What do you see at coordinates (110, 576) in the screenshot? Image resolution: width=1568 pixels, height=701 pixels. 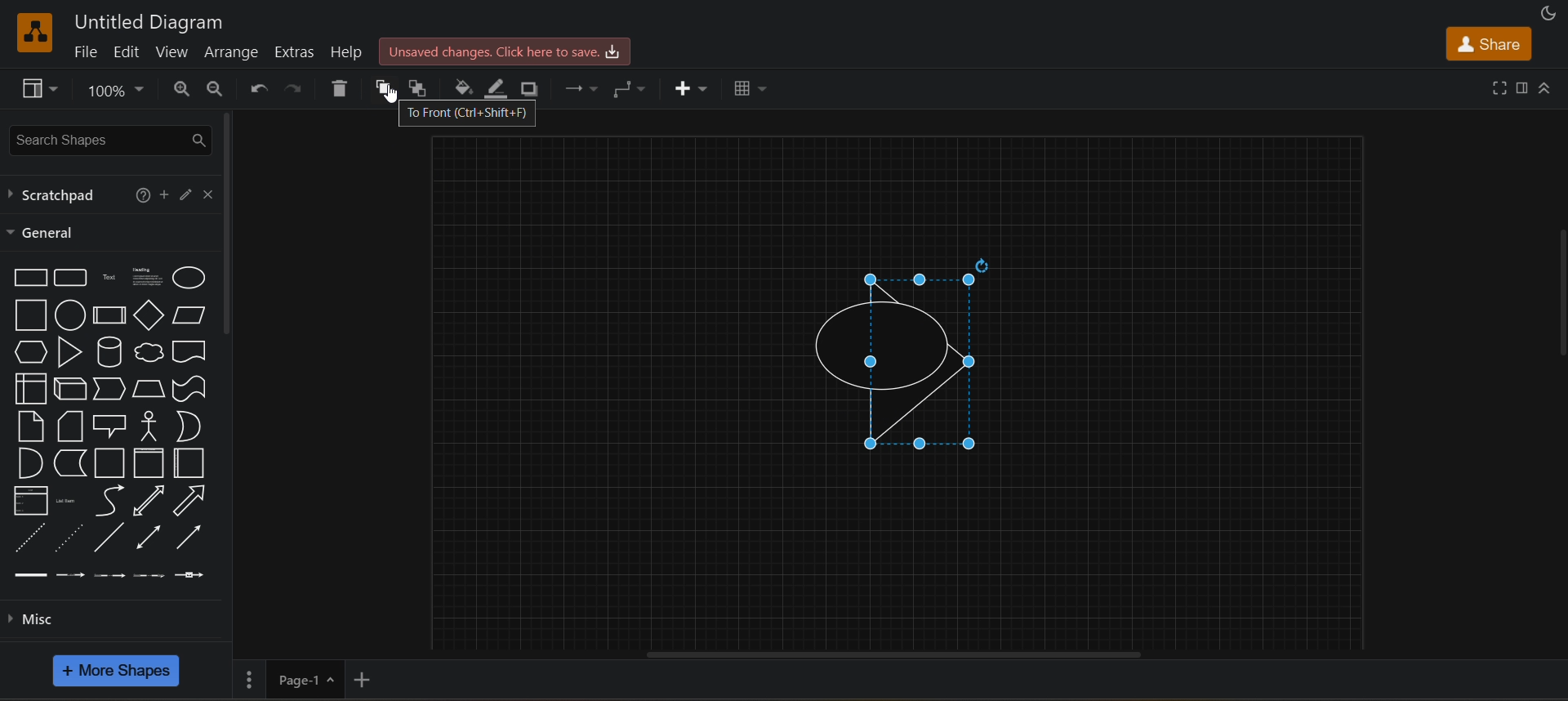 I see `connector with 2 label` at bounding box center [110, 576].